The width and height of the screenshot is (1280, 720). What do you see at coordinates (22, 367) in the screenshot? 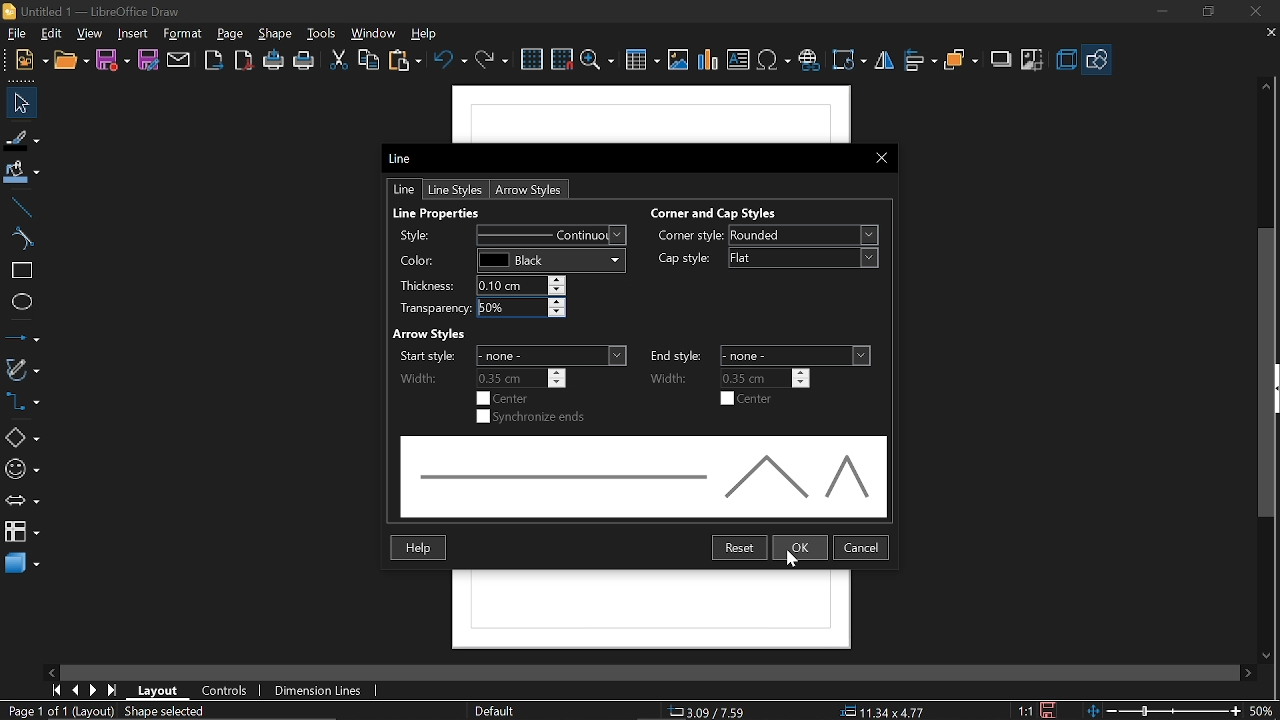
I see `curves and polygons` at bounding box center [22, 367].